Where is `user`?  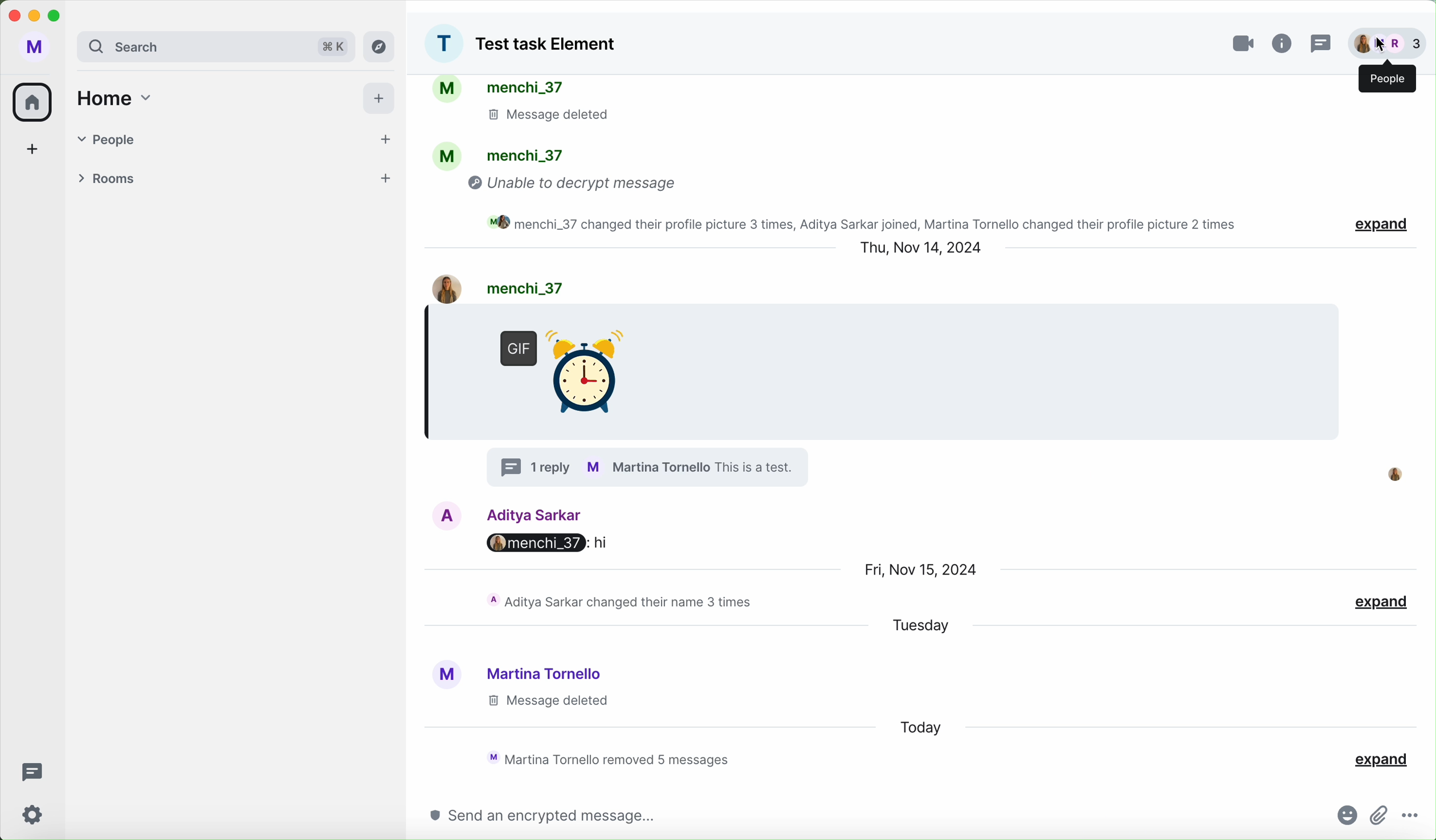 user is located at coordinates (520, 286).